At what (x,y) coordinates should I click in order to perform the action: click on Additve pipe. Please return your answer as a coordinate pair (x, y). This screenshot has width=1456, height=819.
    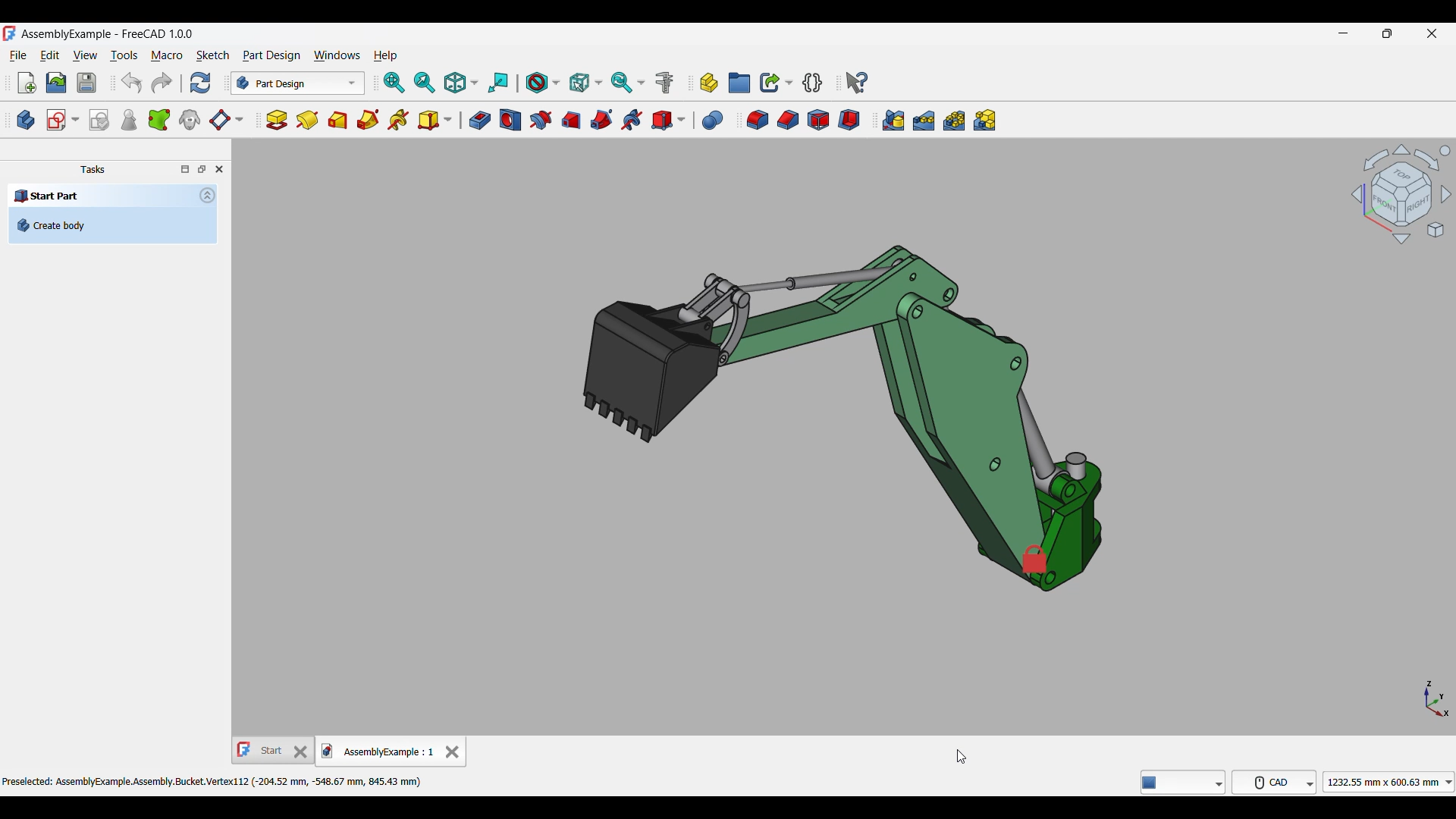
    Looking at the image, I should click on (369, 120).